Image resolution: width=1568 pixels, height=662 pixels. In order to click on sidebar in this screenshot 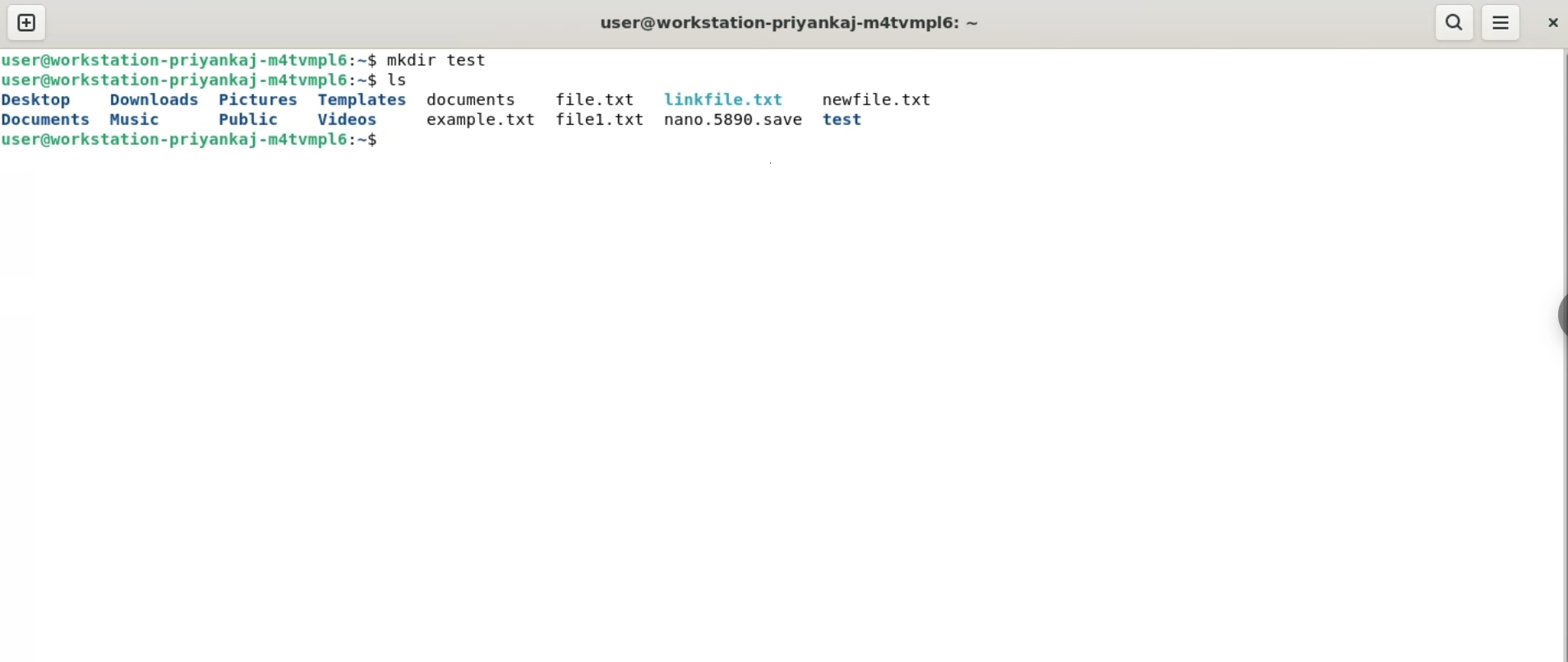, I will do `click(1560, 317)`.